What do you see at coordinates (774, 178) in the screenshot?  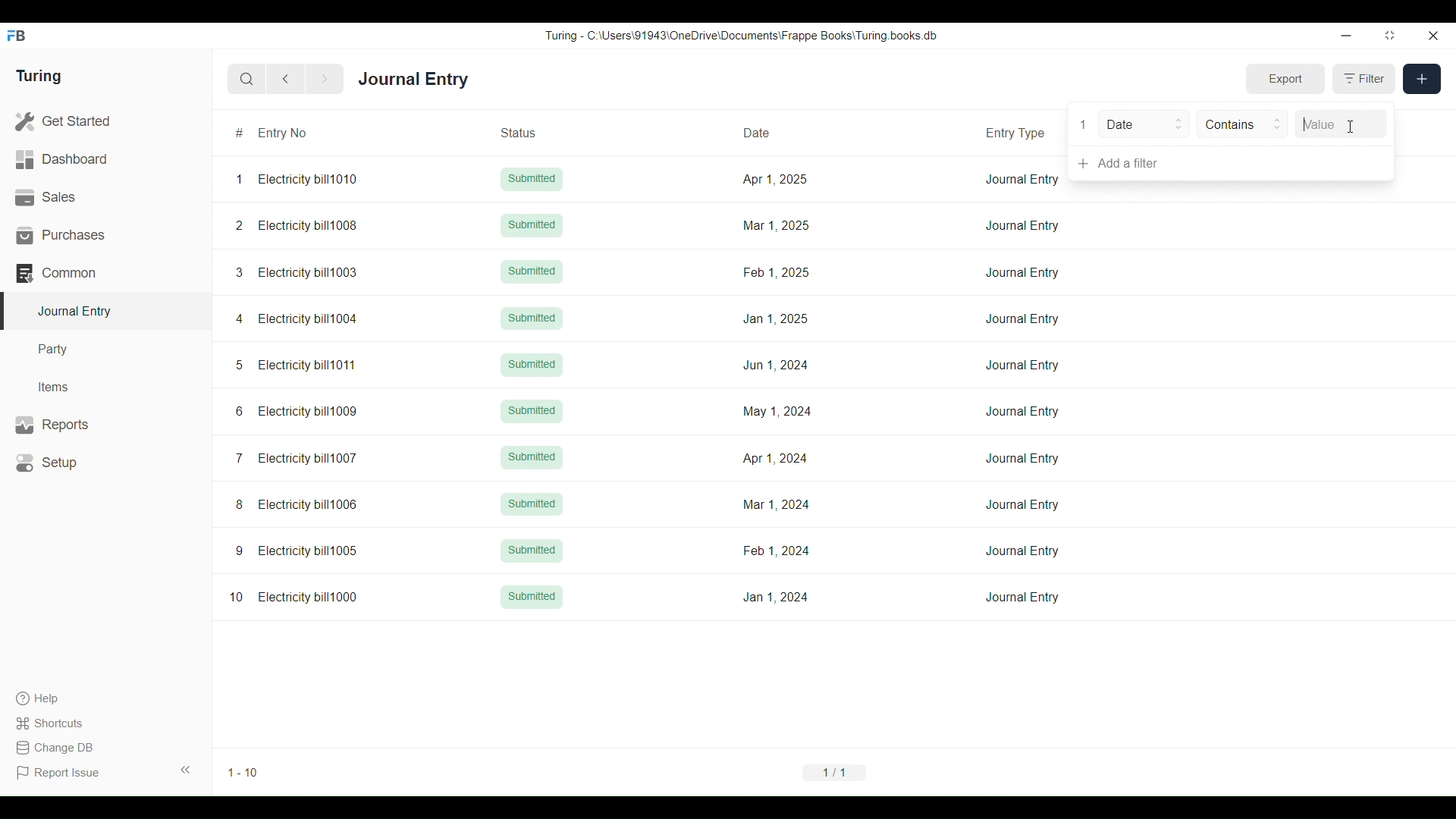 I see `Apr 1, 2025` at bounding box center [774, 178].